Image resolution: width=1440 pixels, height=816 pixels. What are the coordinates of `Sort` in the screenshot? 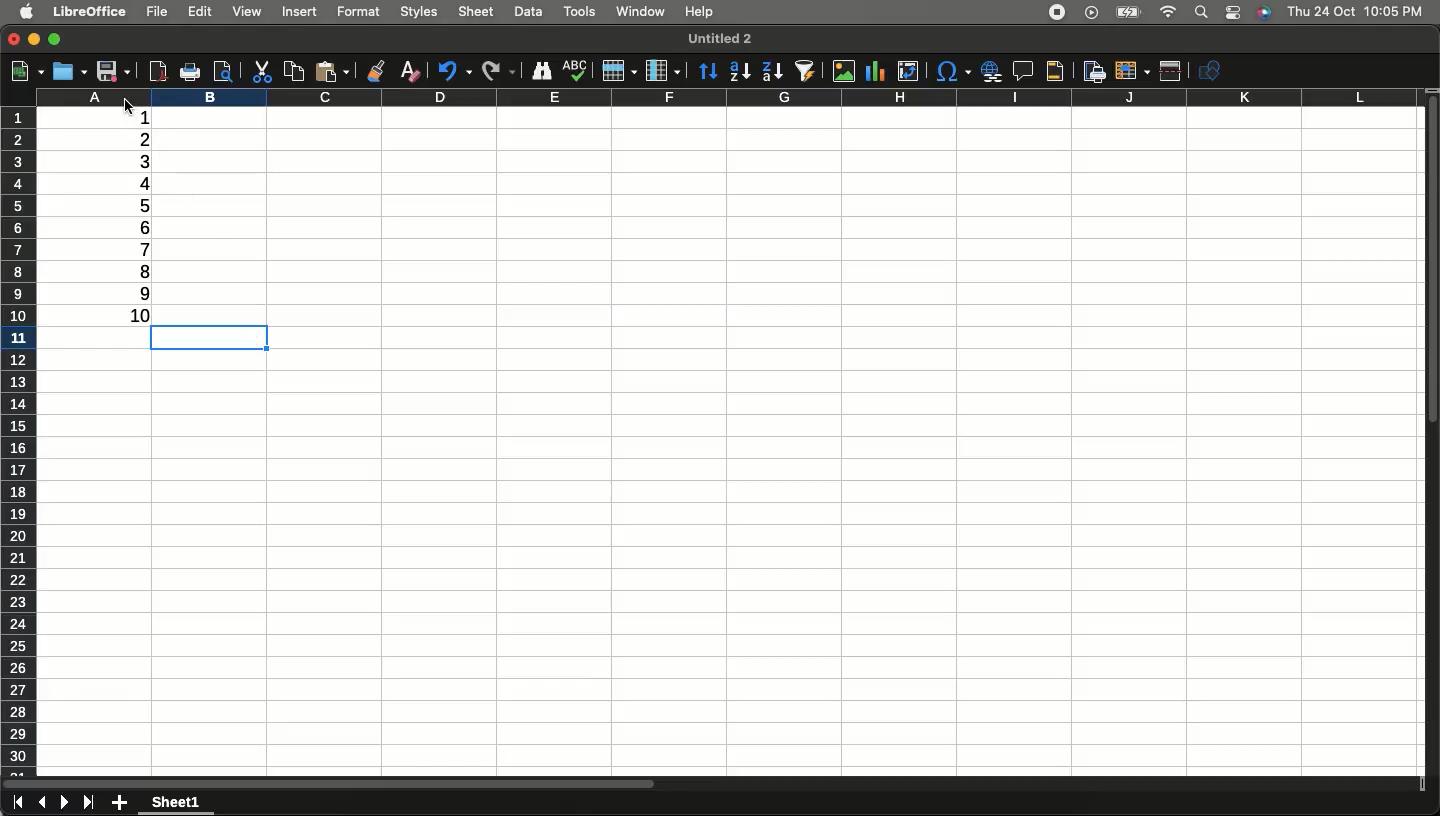 It's located at (709, 70).